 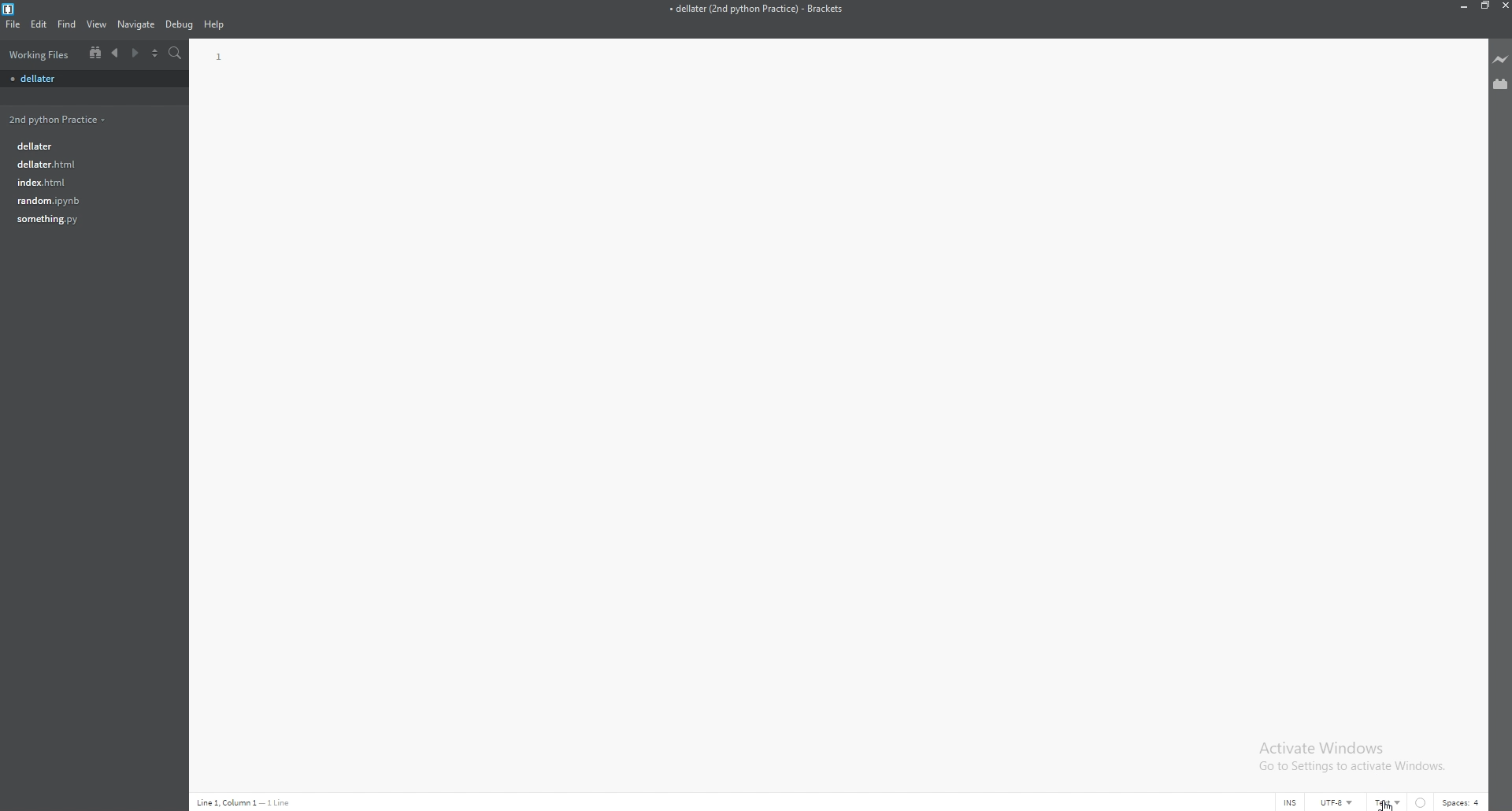 I want to click on description, so click(x=246, y=802).